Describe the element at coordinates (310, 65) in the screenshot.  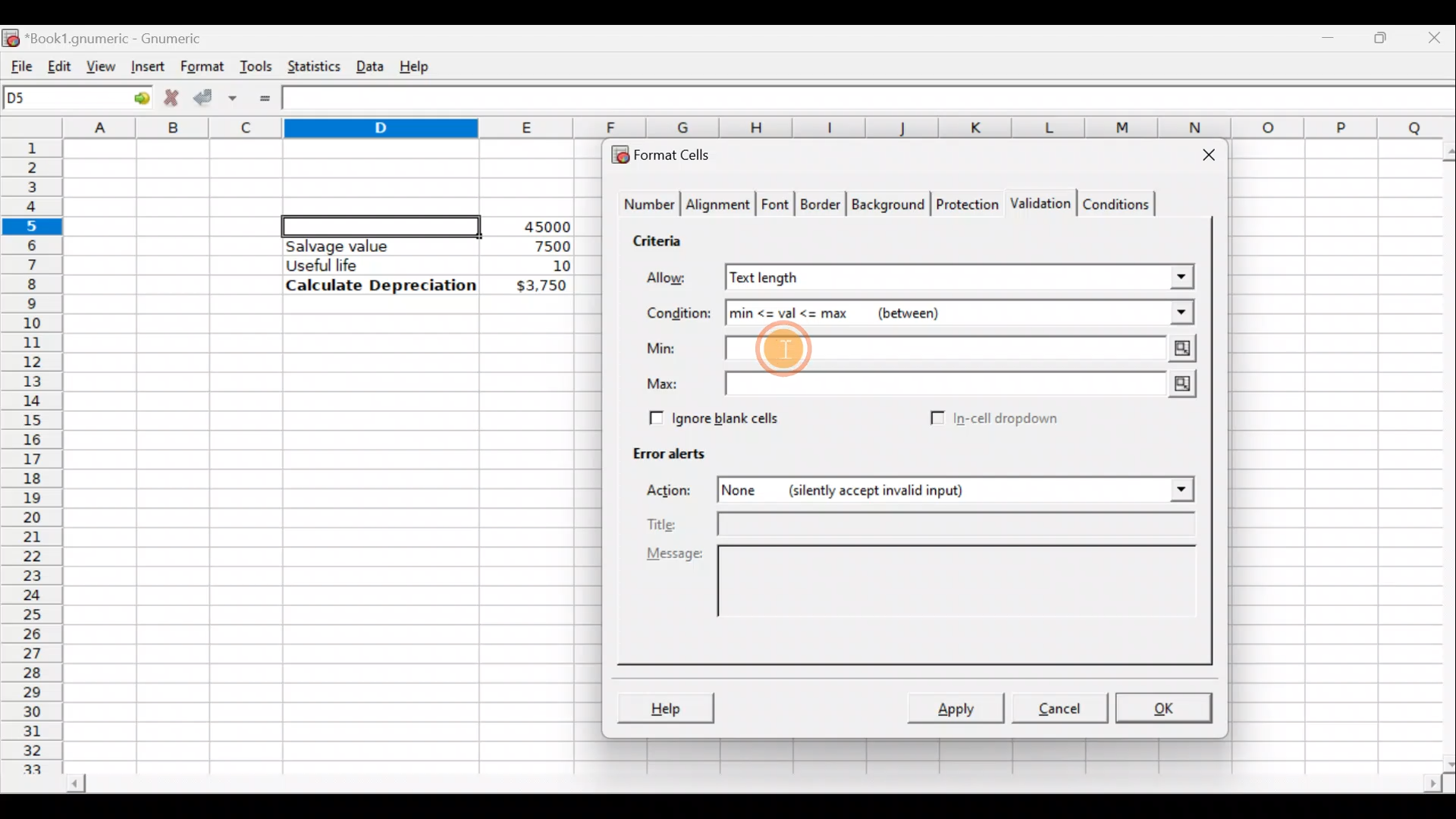
I see `Statistics` at that location.